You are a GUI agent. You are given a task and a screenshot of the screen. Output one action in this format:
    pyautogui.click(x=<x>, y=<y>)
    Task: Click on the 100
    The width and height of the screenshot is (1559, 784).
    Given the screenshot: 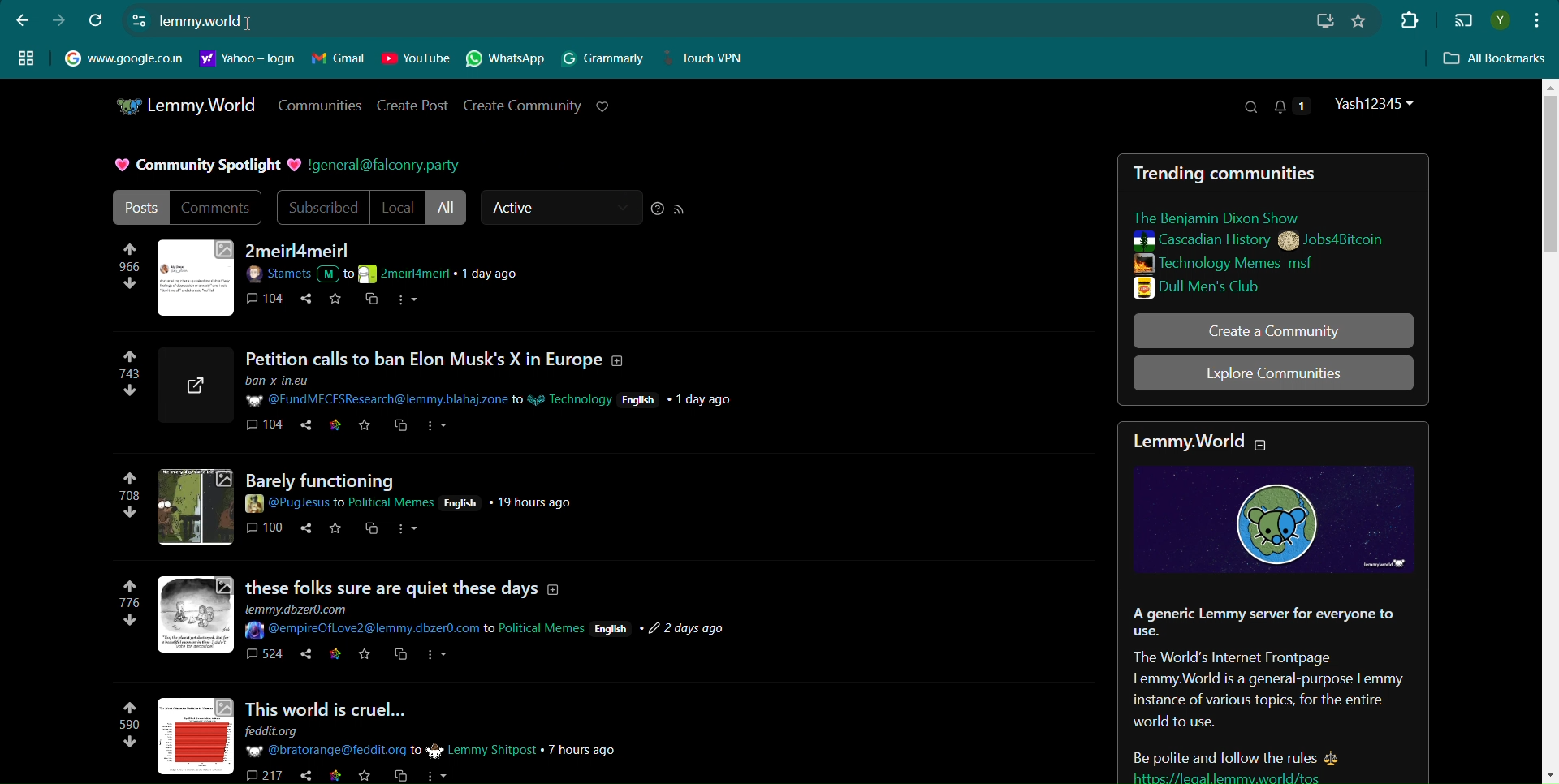 What is the action you would take?
    pyautogui.click(x=266, y=532)
    